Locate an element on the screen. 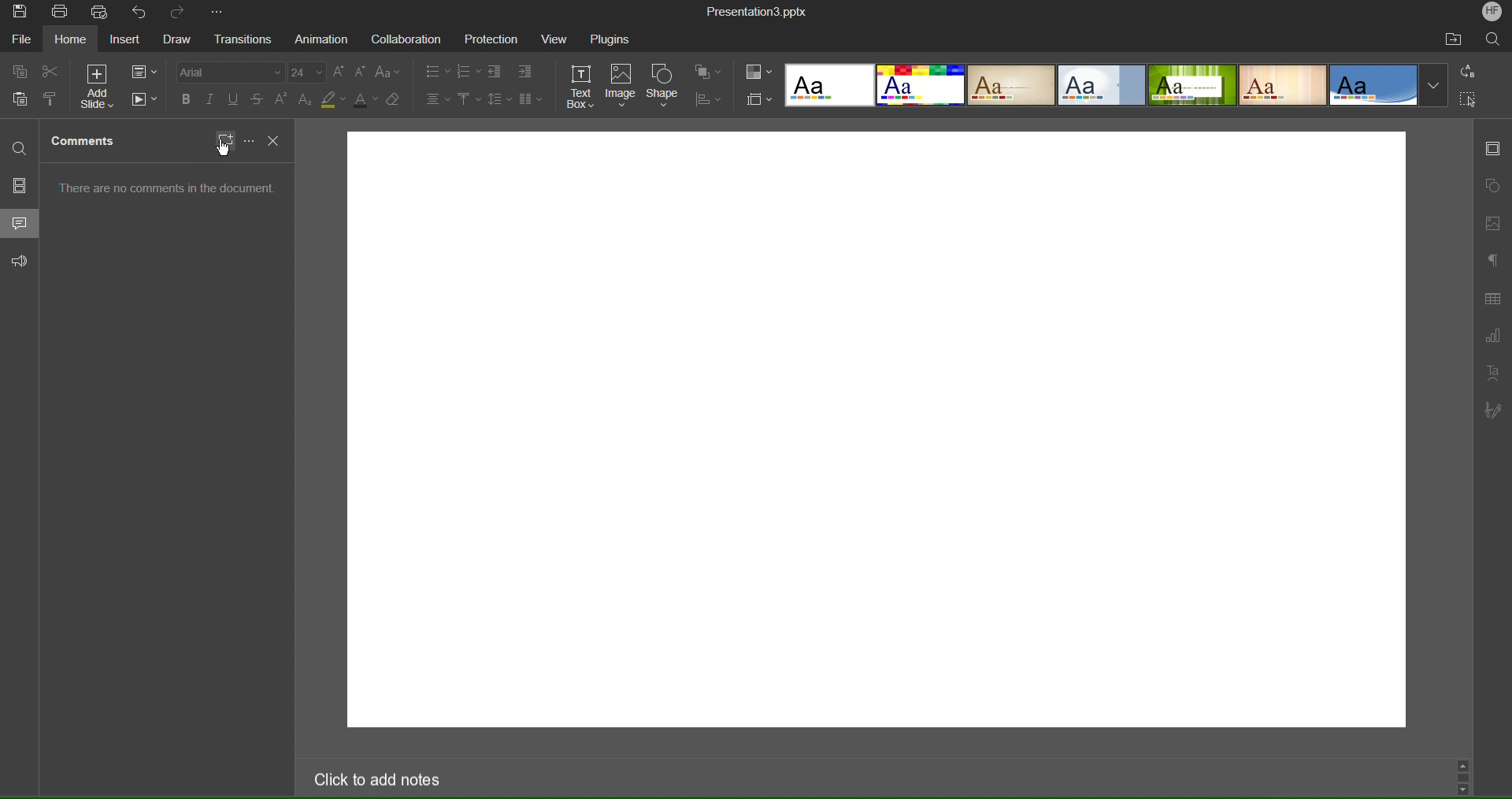 The image size is (1512, 799). Protection is located at coordinates (493, 40).